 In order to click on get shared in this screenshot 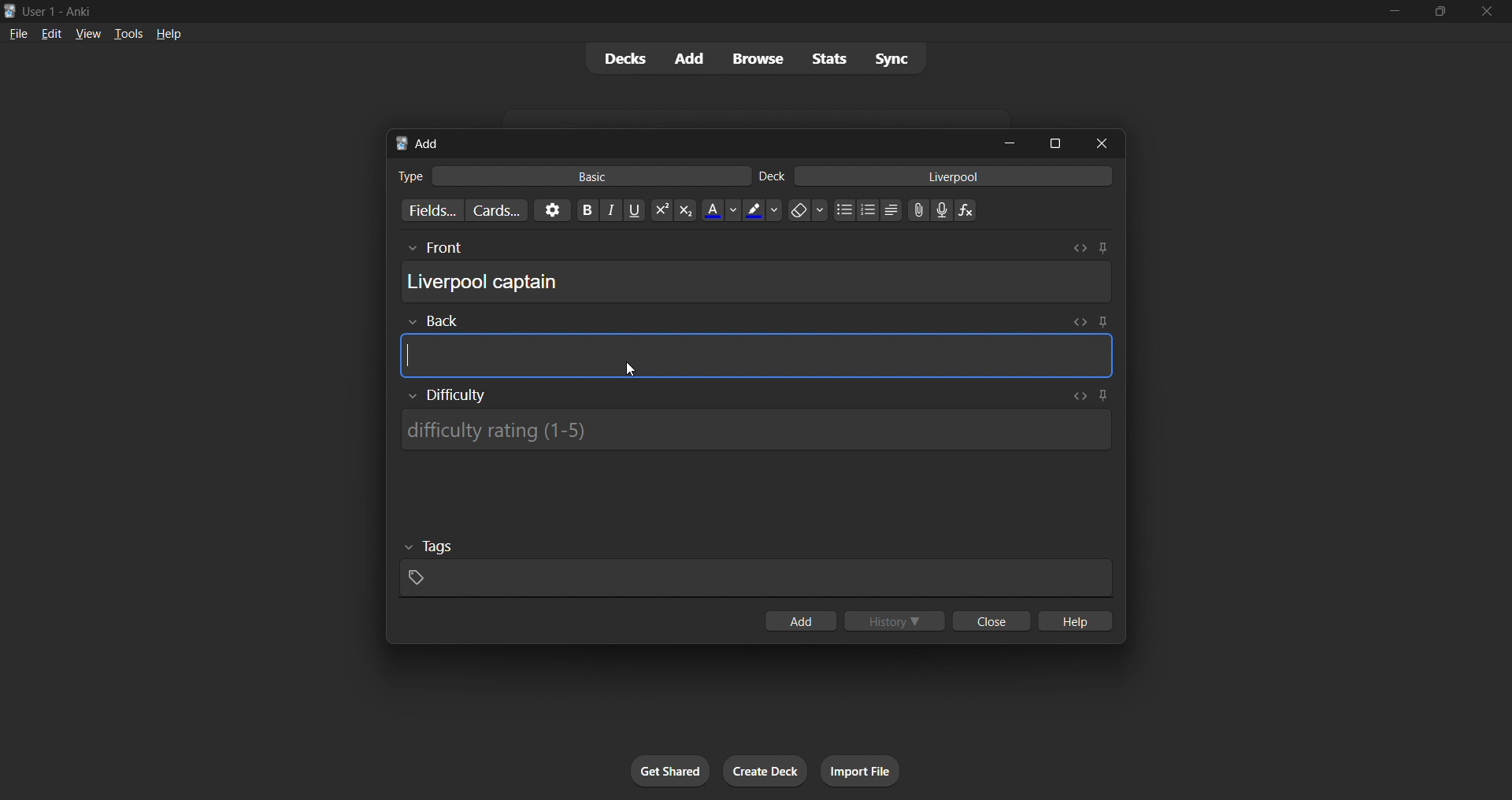, I will do `click(670, 771)`.